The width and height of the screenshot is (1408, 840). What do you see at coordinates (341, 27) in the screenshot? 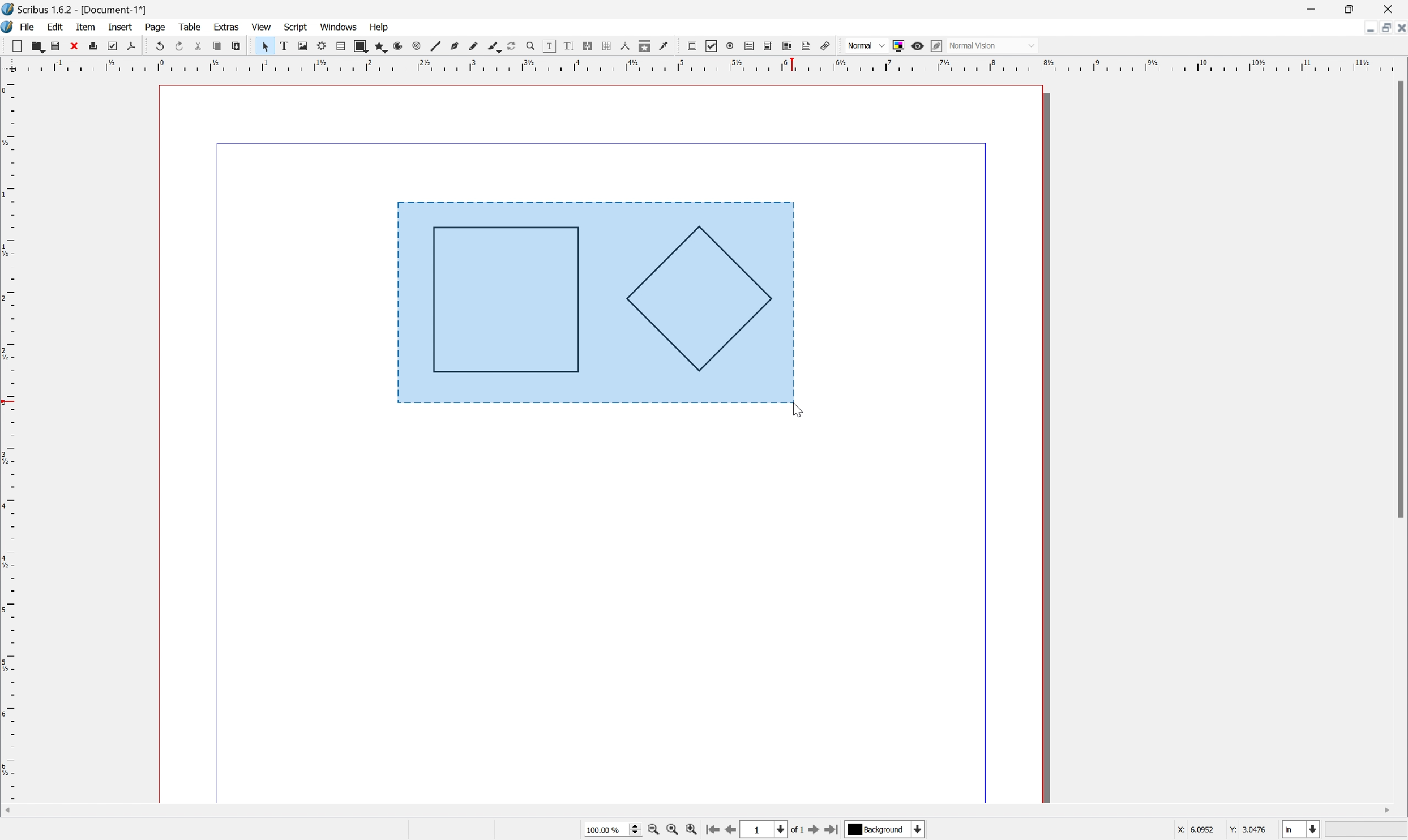
I see `windows` at bounding box center [341, 27].